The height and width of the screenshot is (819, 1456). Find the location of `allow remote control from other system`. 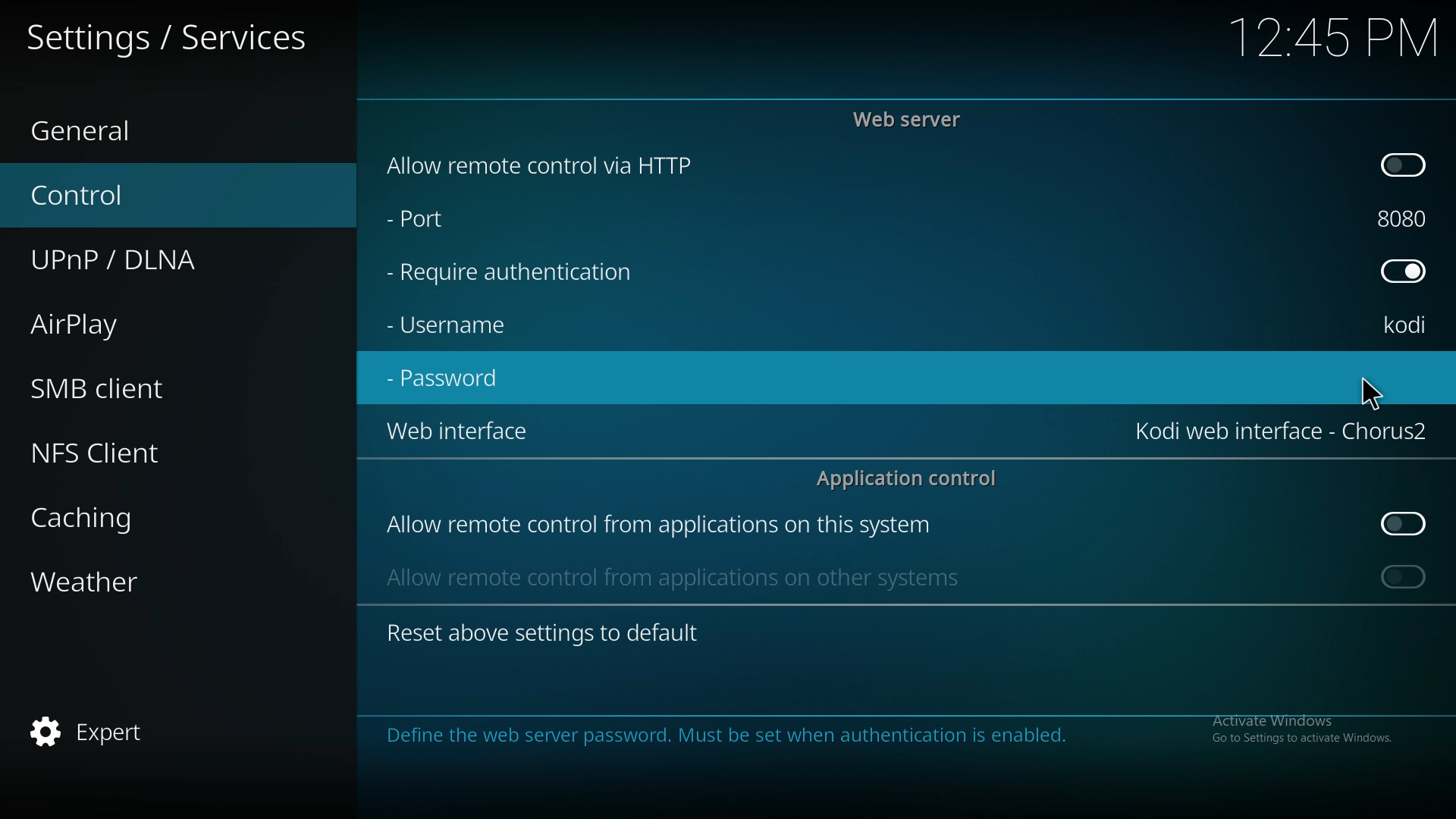

allow remote control from other system is located at coordinates (670, 576).